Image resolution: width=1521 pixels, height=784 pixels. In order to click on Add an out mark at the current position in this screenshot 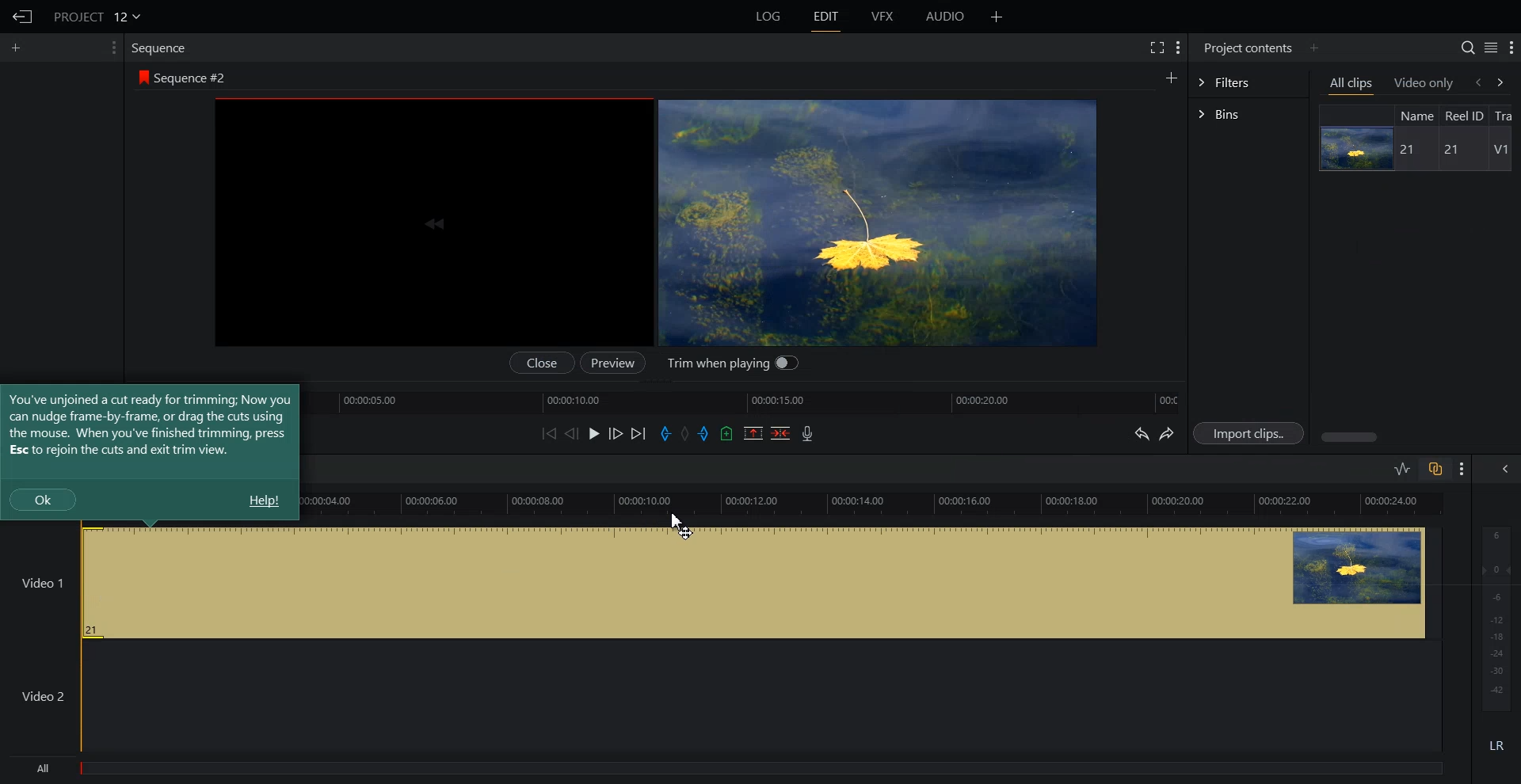, I will do `click(705, 432)`.